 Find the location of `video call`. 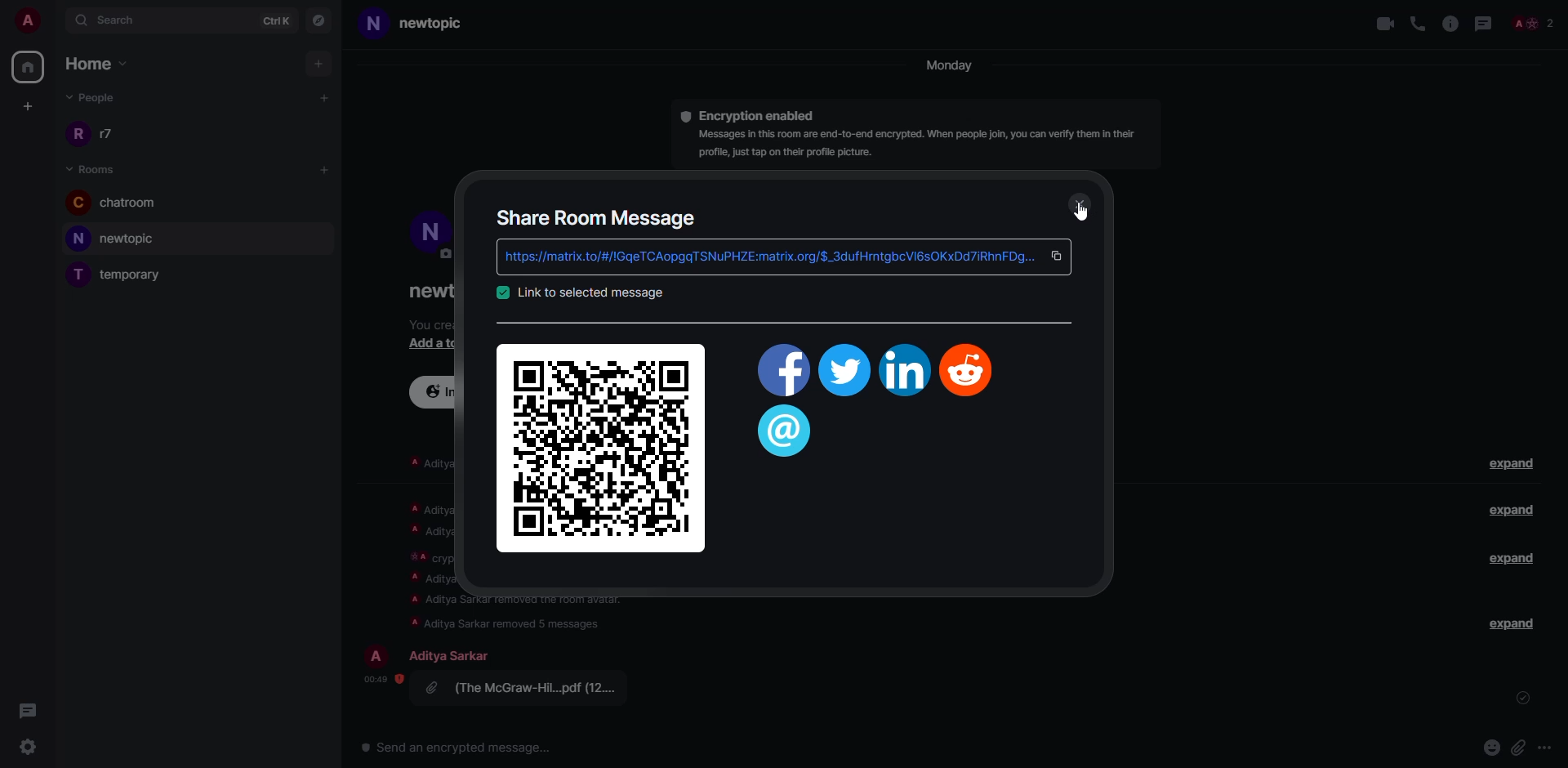

video call is located at coordinates (1383, 23).